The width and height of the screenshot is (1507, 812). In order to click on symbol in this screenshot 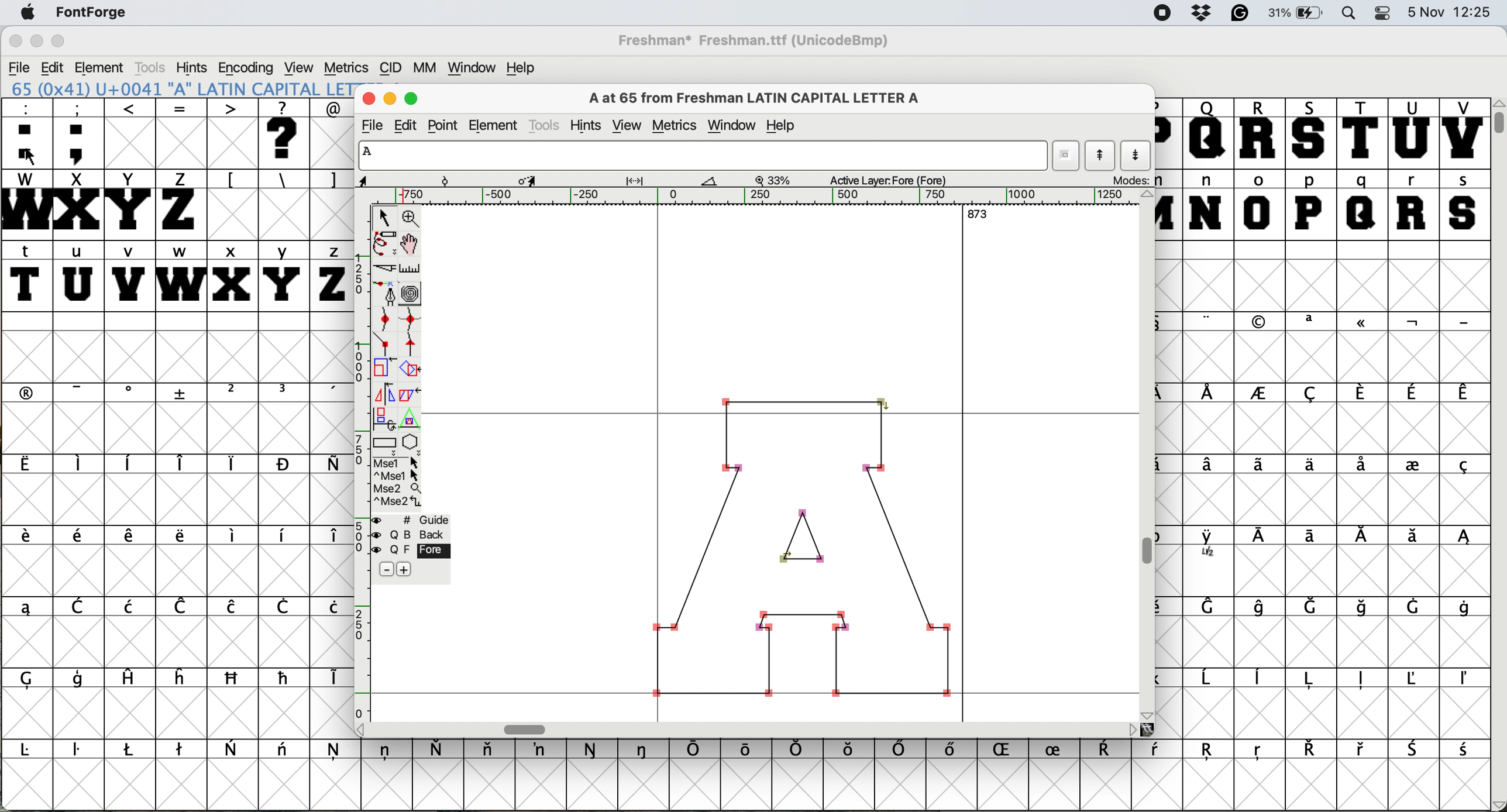, I will do `click(330, 538)`.